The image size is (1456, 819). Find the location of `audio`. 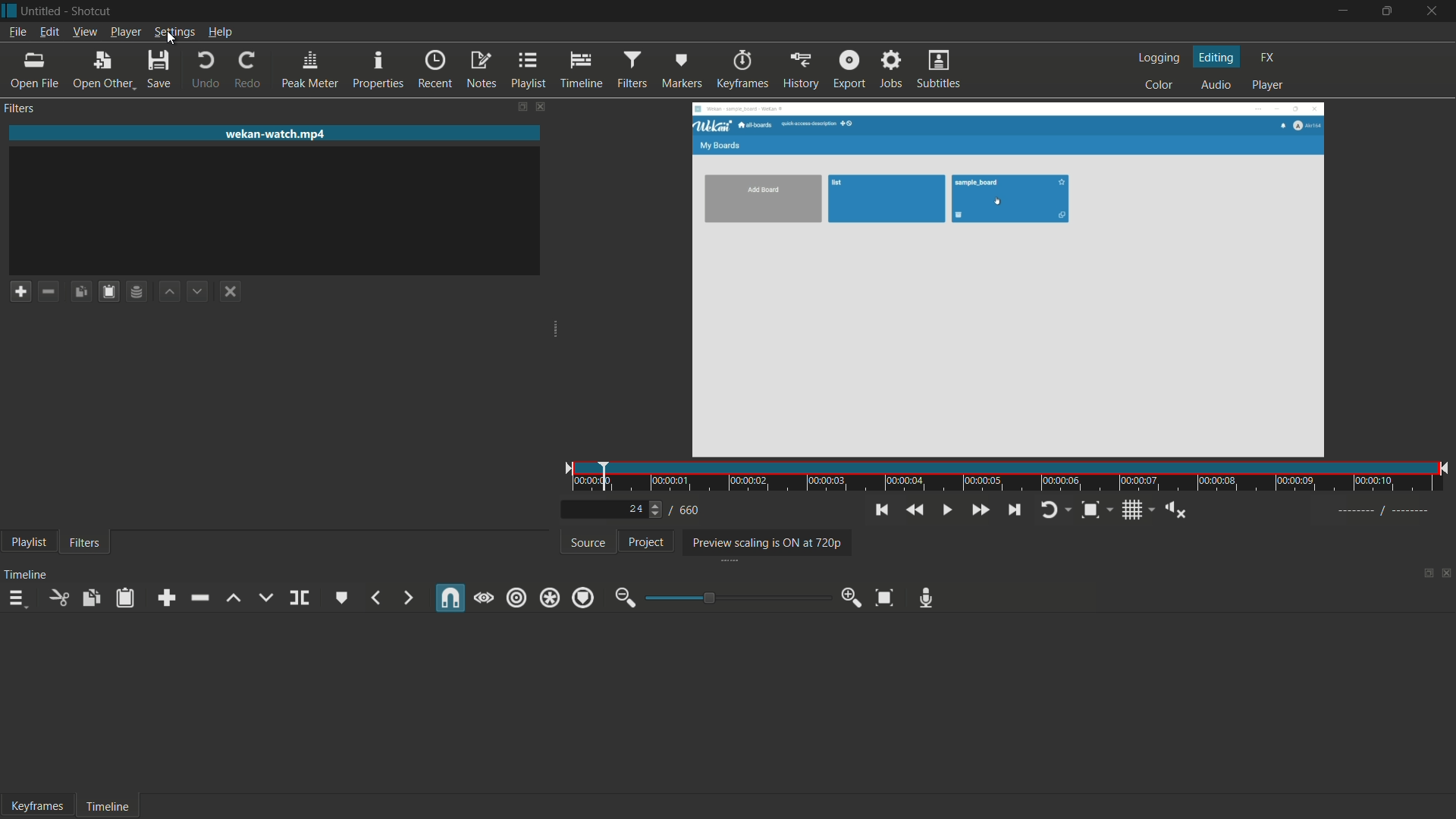

audio is located at coordinates (1216, 86).